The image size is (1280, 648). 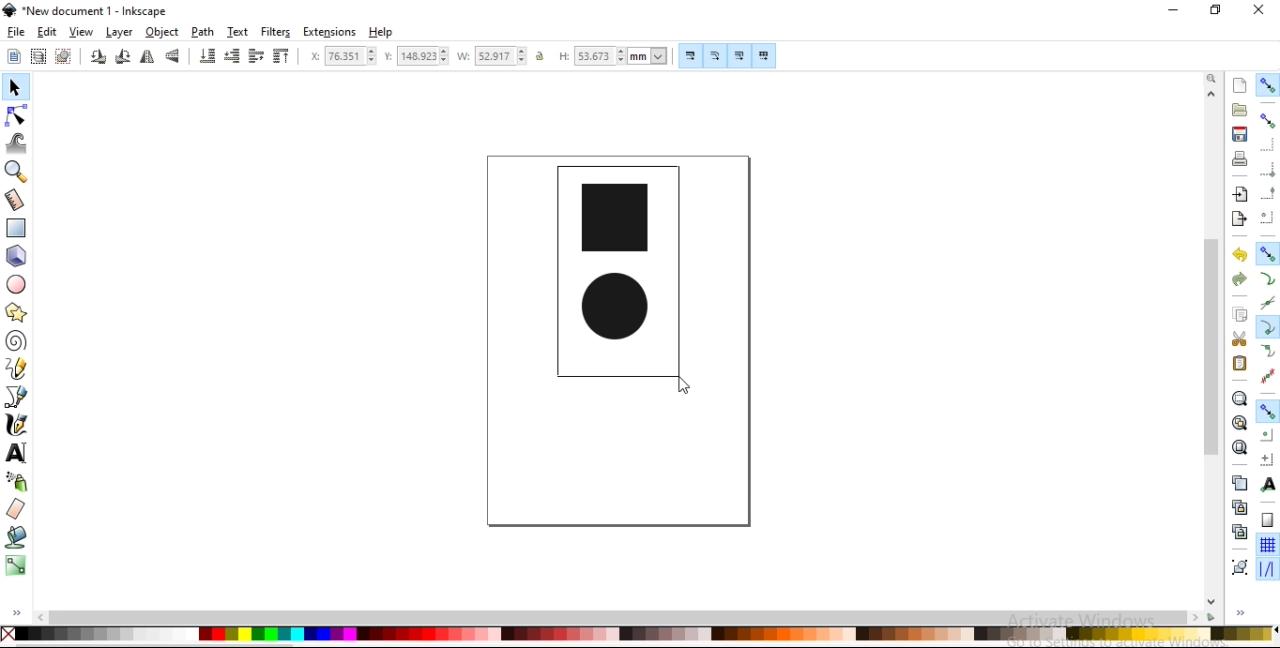 I want to click on import a bitmap, so click(x=1241, y=194).